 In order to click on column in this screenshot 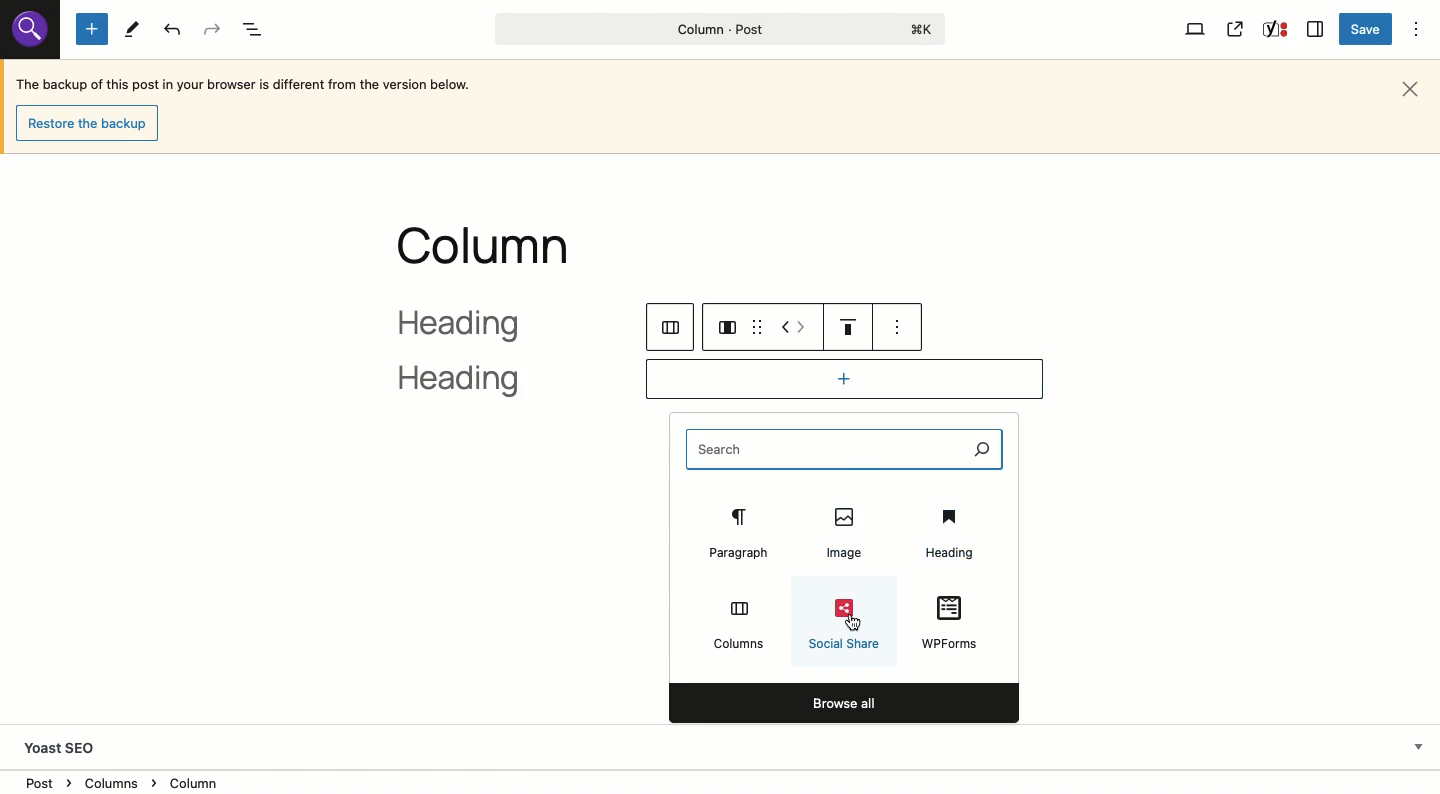, I will do `click(486, 246)`.